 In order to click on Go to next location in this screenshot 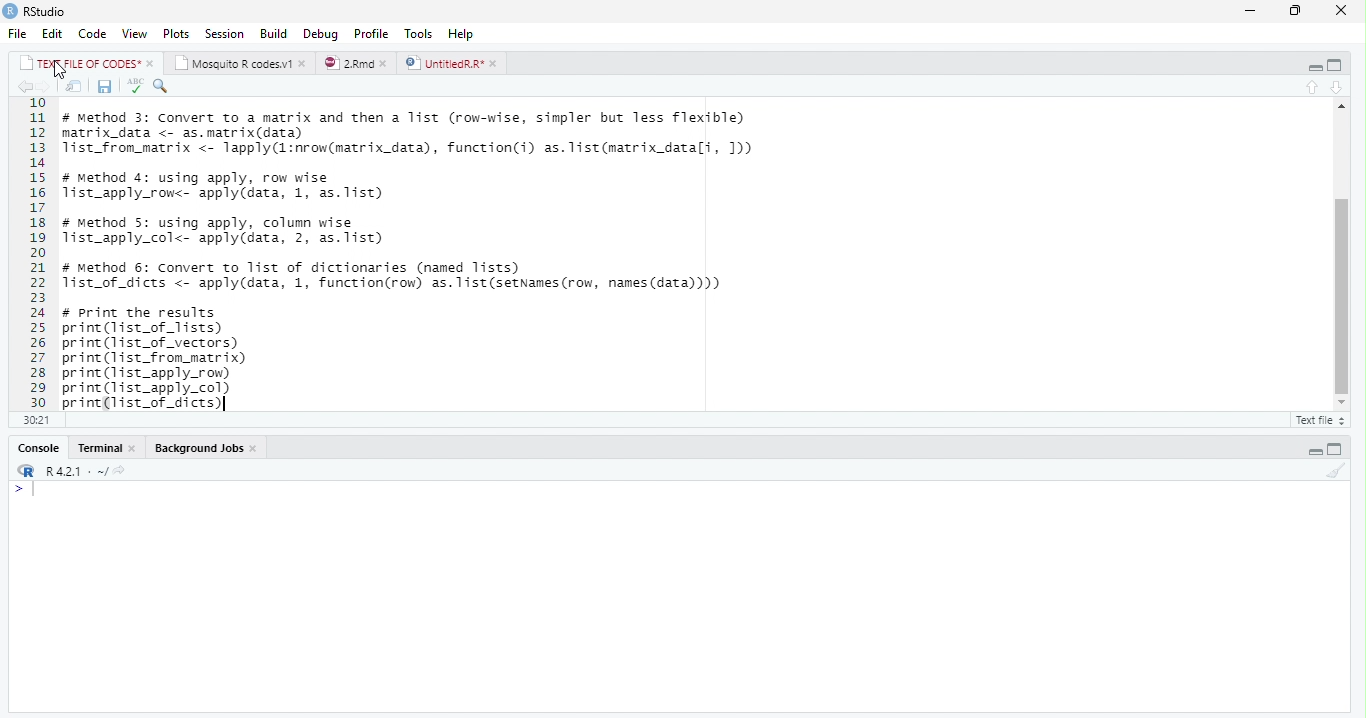, I will do `click(44, 87)`.